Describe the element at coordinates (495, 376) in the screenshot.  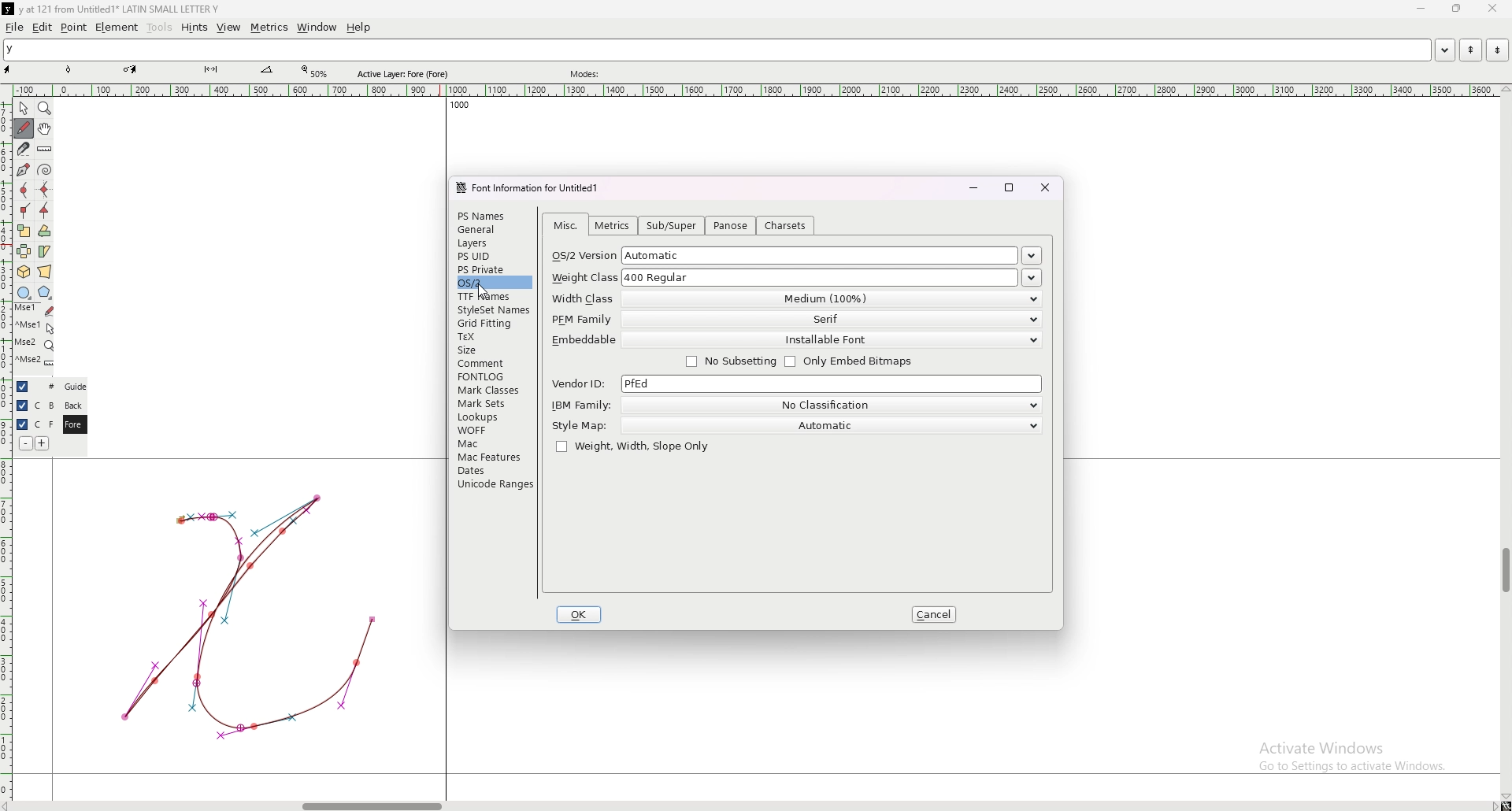
I see `fontlog` at that location.